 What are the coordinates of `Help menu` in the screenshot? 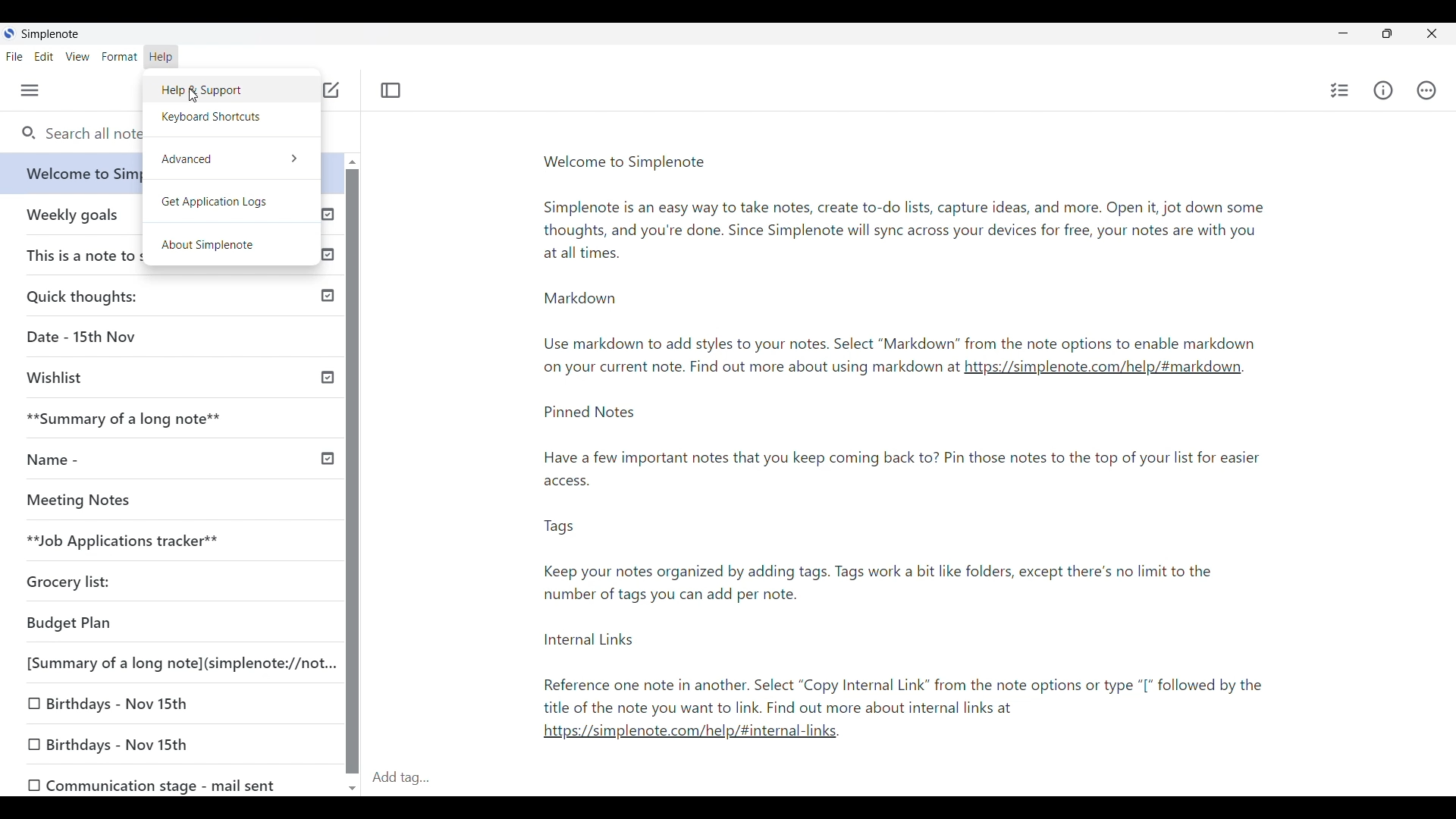 It's located at (162, 58).